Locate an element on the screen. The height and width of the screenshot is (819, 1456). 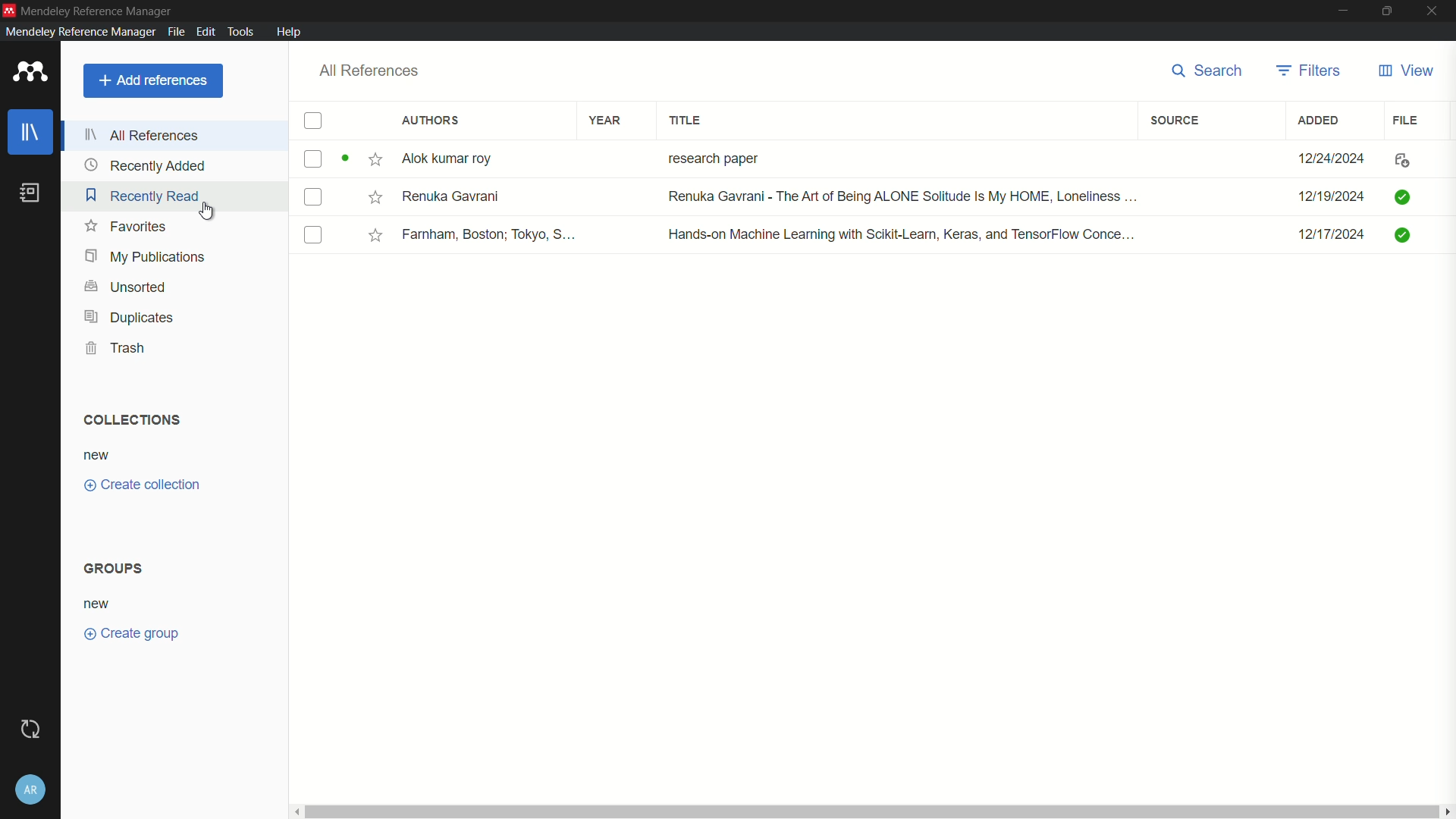
(un)select is located at coordinates (315, 237).